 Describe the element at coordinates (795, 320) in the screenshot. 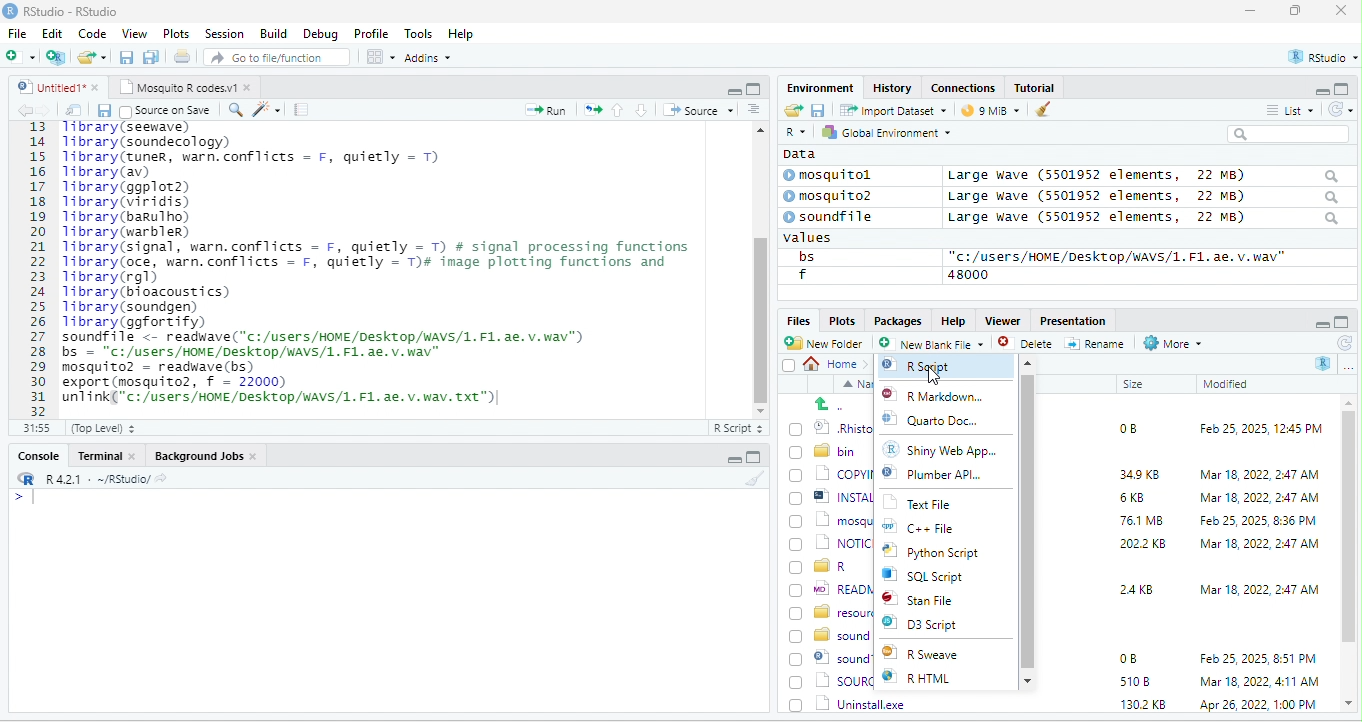

I see `Files` at that location.